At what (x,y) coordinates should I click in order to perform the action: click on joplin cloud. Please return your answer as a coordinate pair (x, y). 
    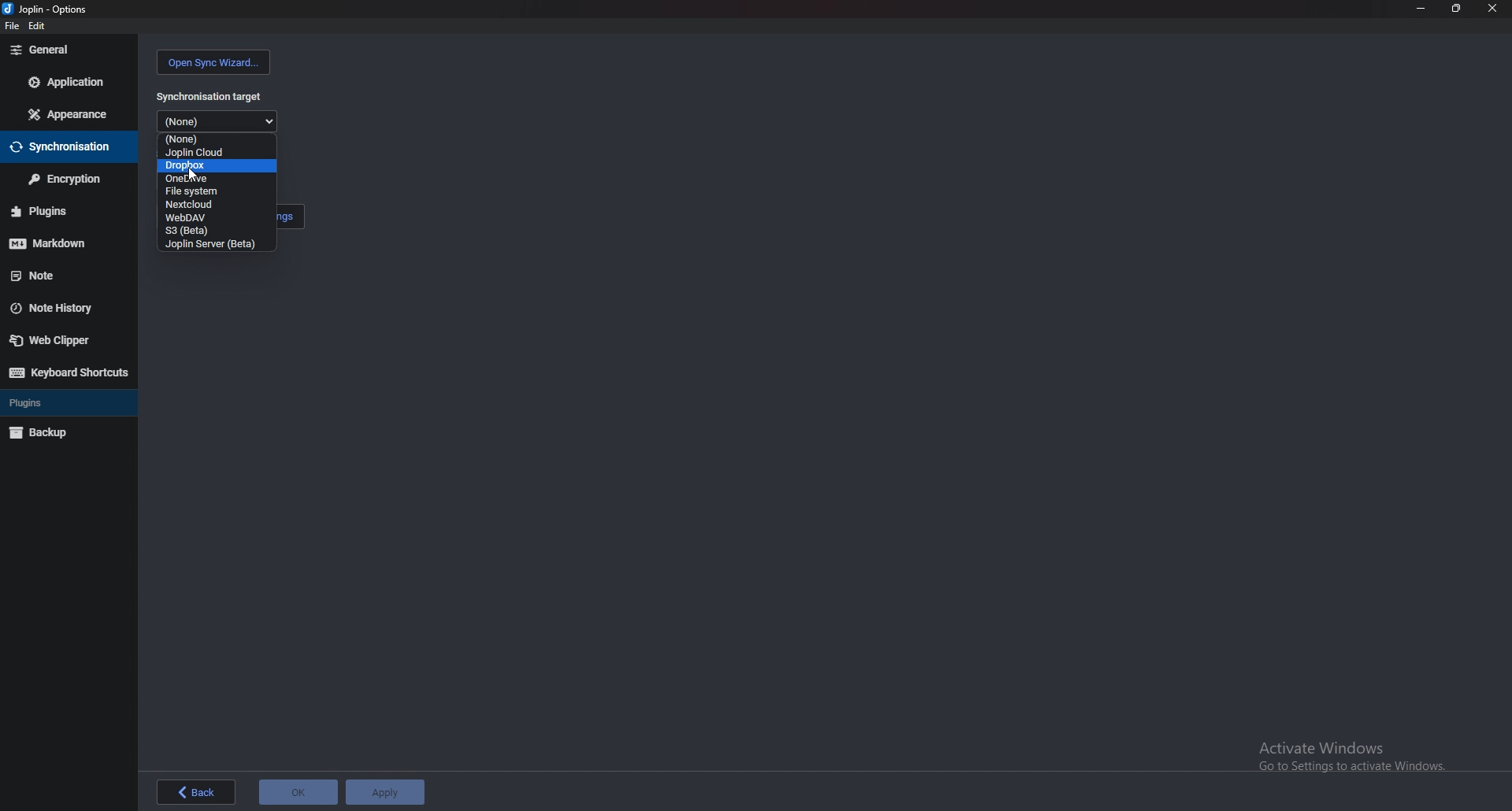
    Looking at the image, I should click on (213, 152).